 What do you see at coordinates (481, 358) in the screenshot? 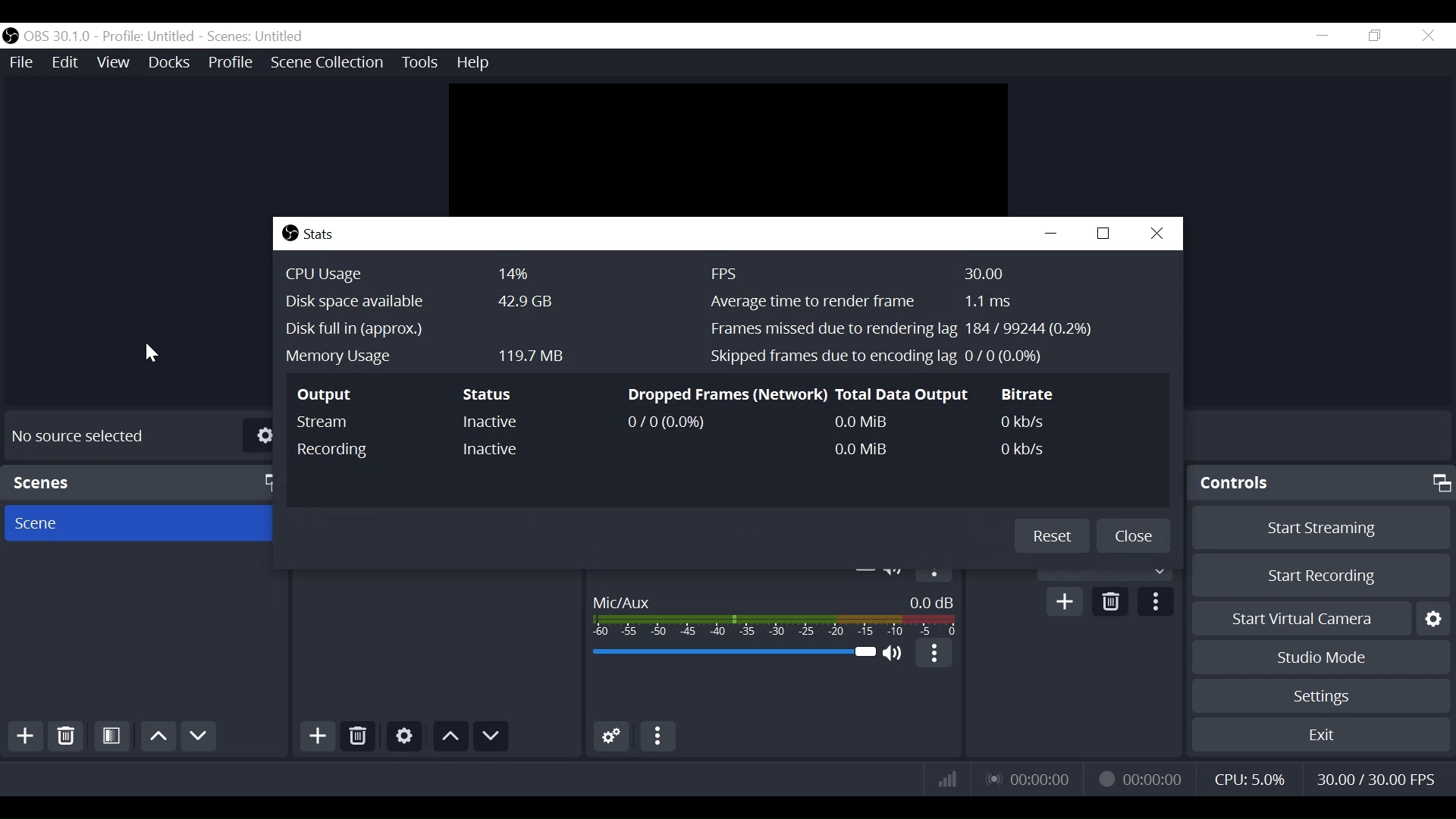
I see `Memory Usage` at bounding box center [481, 358].